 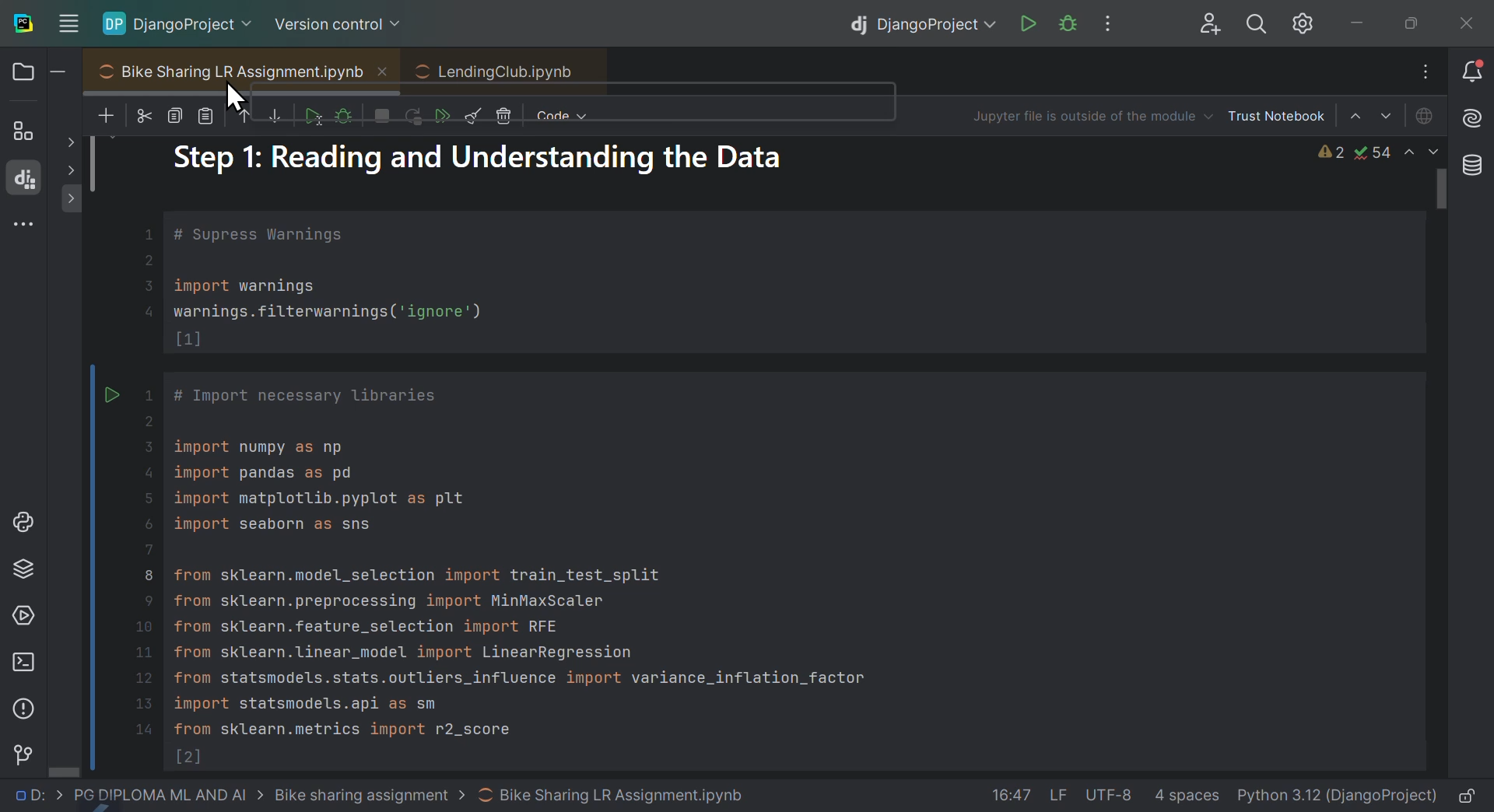 I want to click on show, so click(x=71, y=144).